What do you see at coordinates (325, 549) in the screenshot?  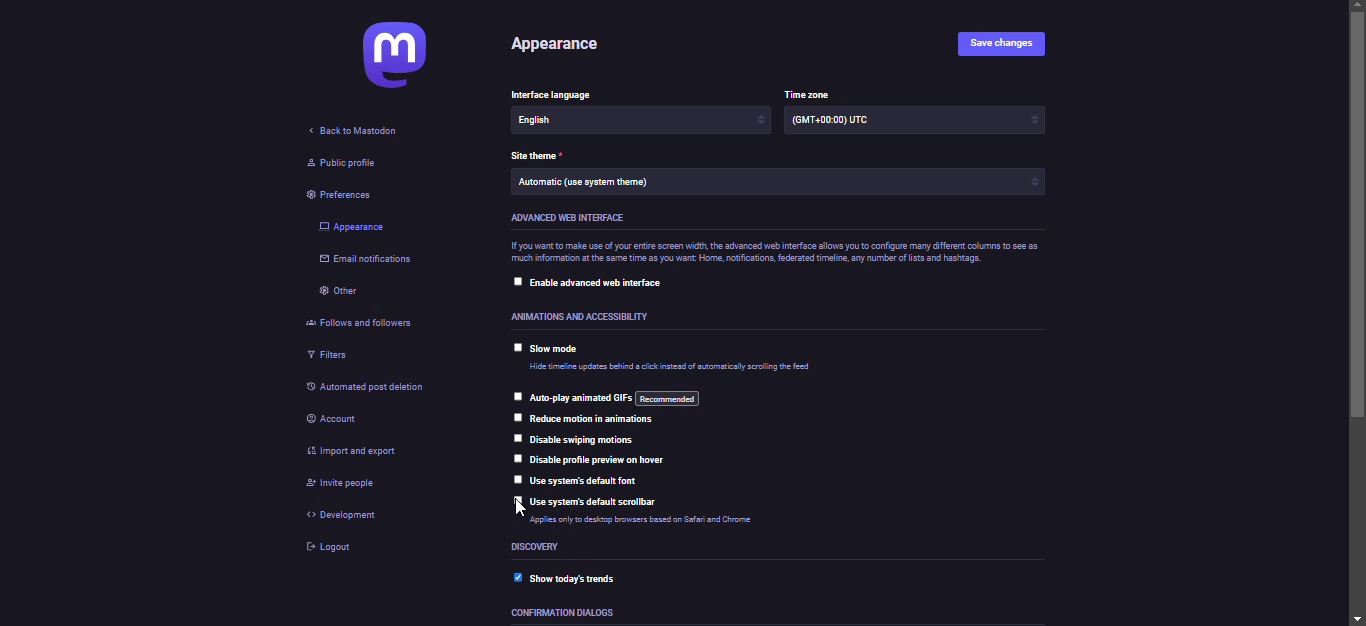 I see `logout` at bounding box center [325, 549].